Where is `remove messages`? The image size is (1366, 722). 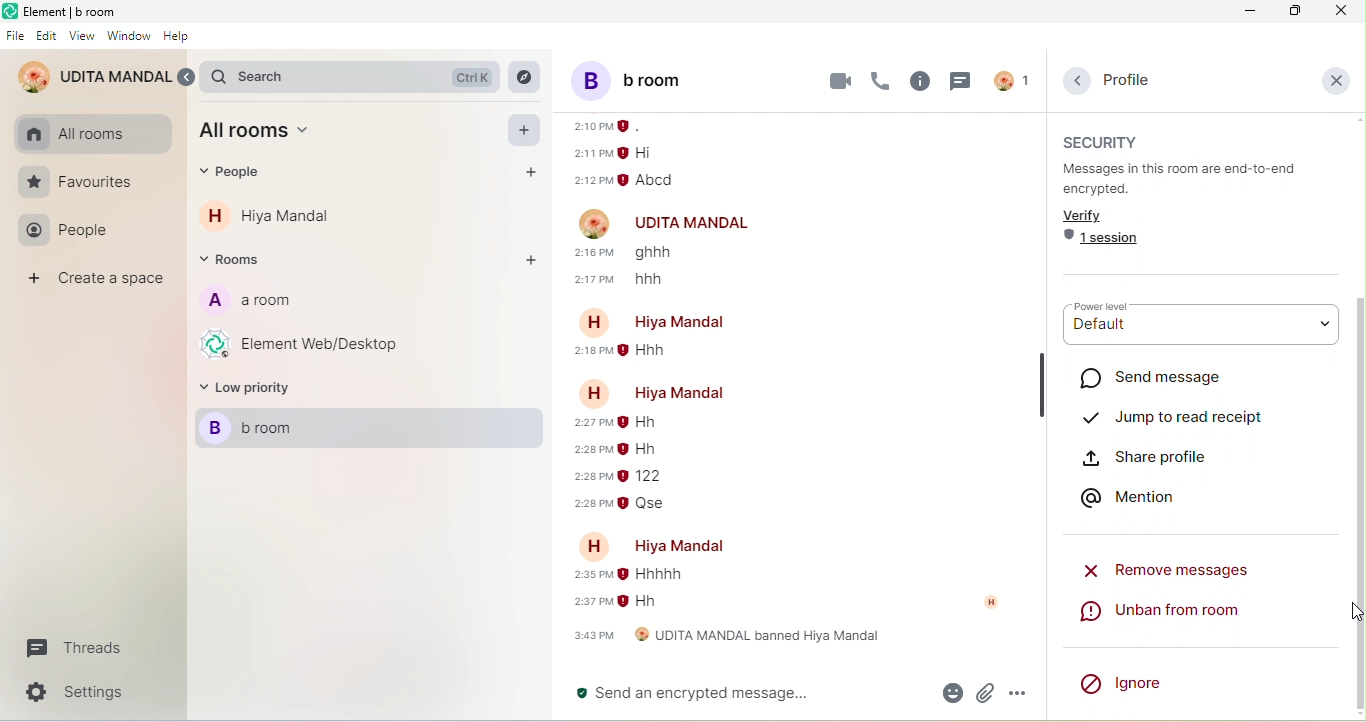
remove messages is located at coordinates (1172, 568).